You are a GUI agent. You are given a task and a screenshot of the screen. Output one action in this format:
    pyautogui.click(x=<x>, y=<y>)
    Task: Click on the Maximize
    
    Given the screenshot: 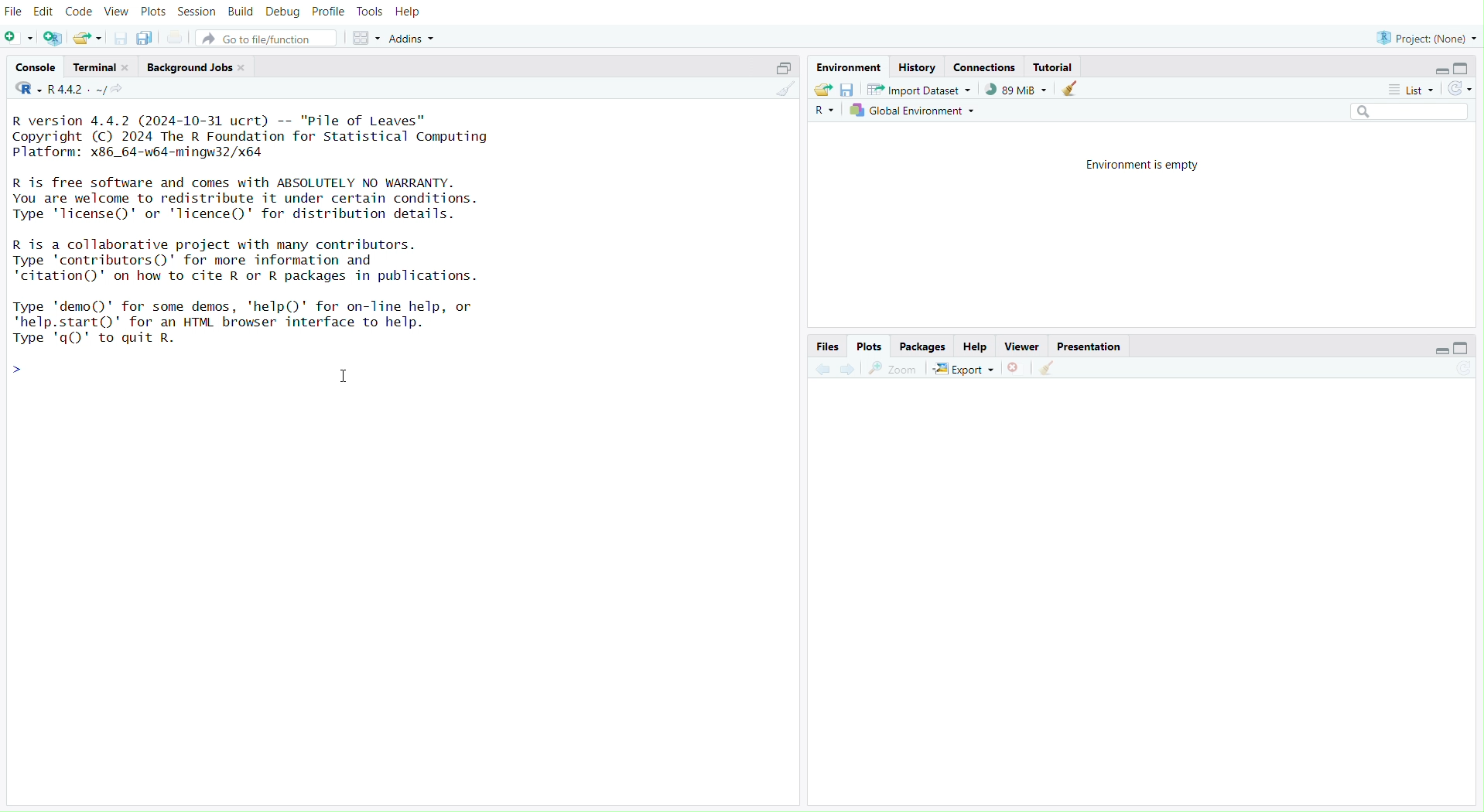 What is the action you would take?
    pyautogui.click(x=782, y=66)
    